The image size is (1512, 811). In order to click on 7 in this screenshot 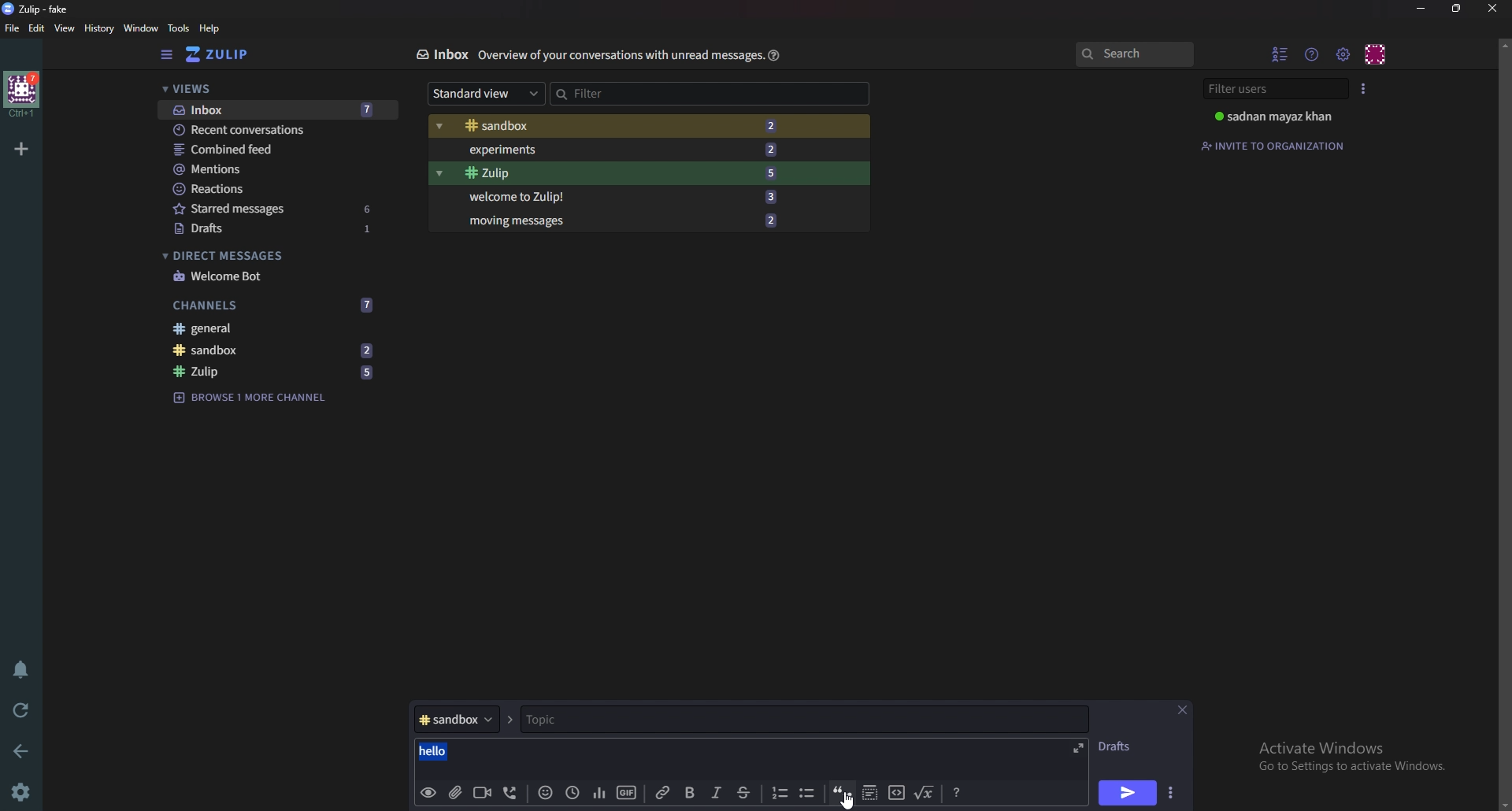, I will do `click(366, 305)`.